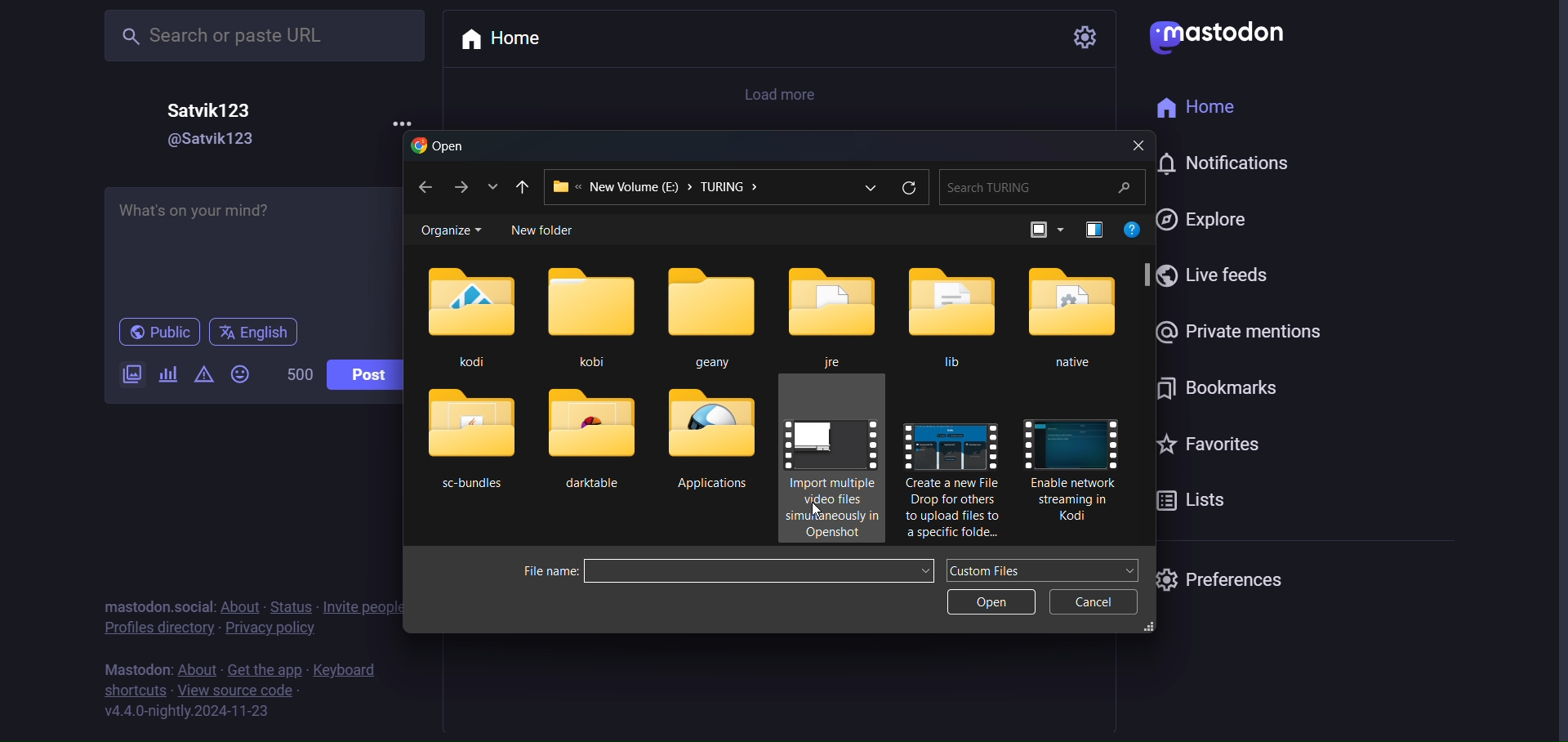 Image resolution: width=1568 pixels, height=742 pixels. I want to click on about, so click(240, 606).